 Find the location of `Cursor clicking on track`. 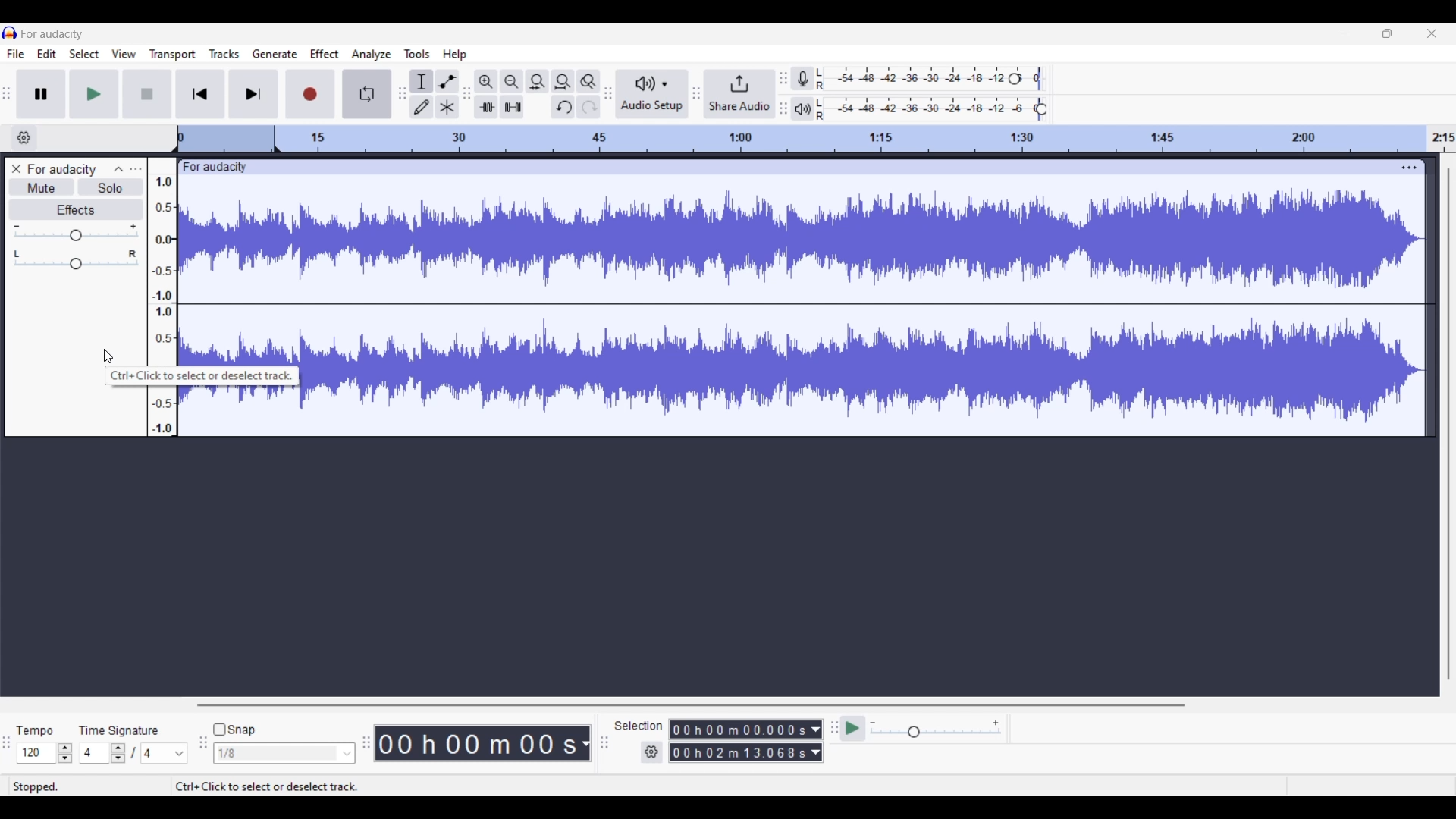

Cursor clicking on track is located at coordinates (108, 356).